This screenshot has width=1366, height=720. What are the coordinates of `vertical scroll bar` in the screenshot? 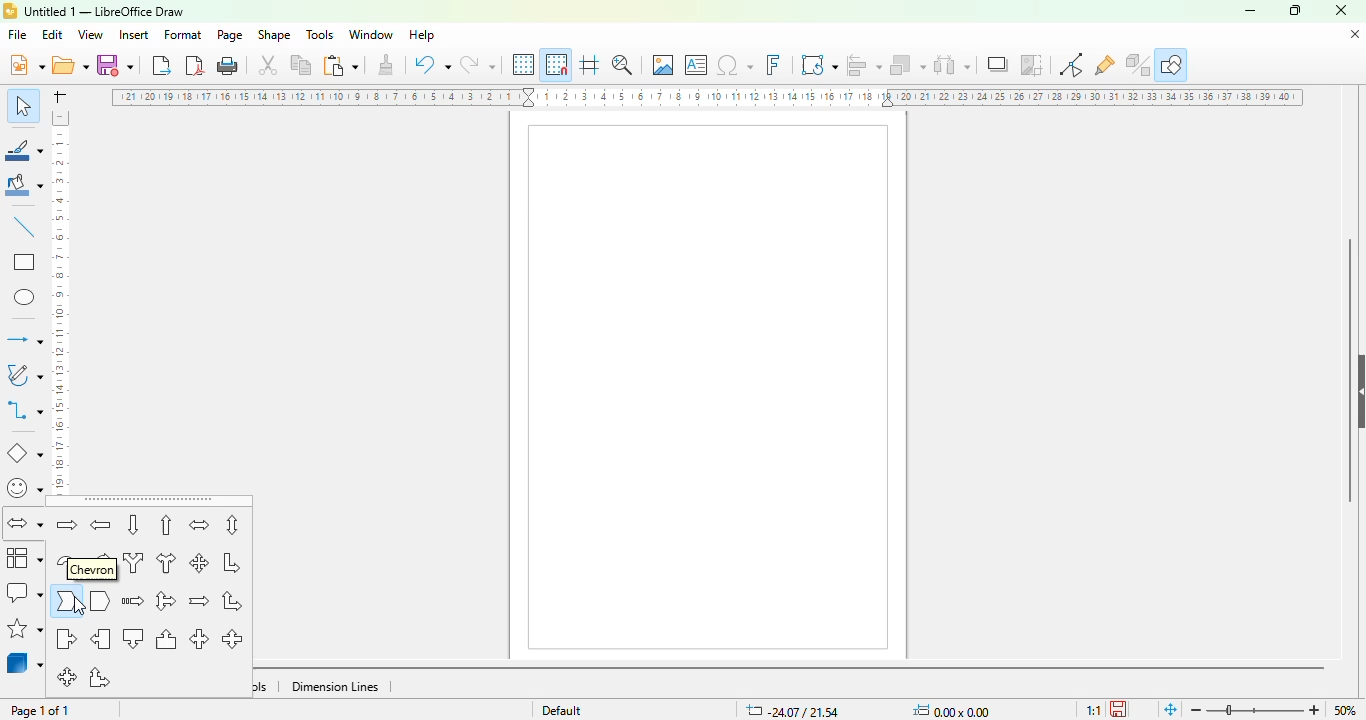 It's located at (1350, 371).